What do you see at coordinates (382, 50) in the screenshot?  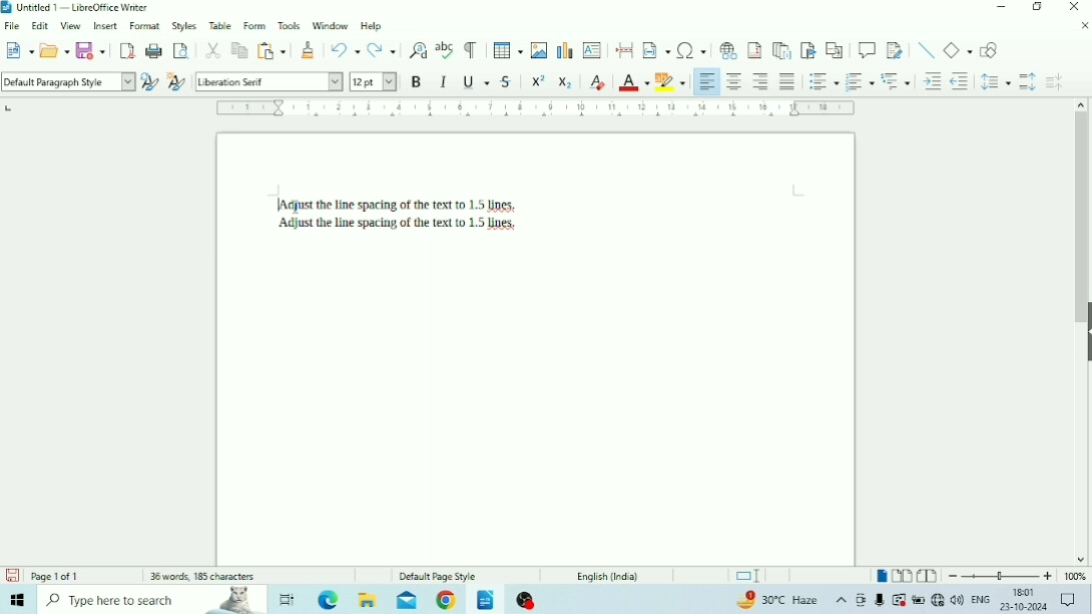 I see `Redo` at bounding box center [382, 50].